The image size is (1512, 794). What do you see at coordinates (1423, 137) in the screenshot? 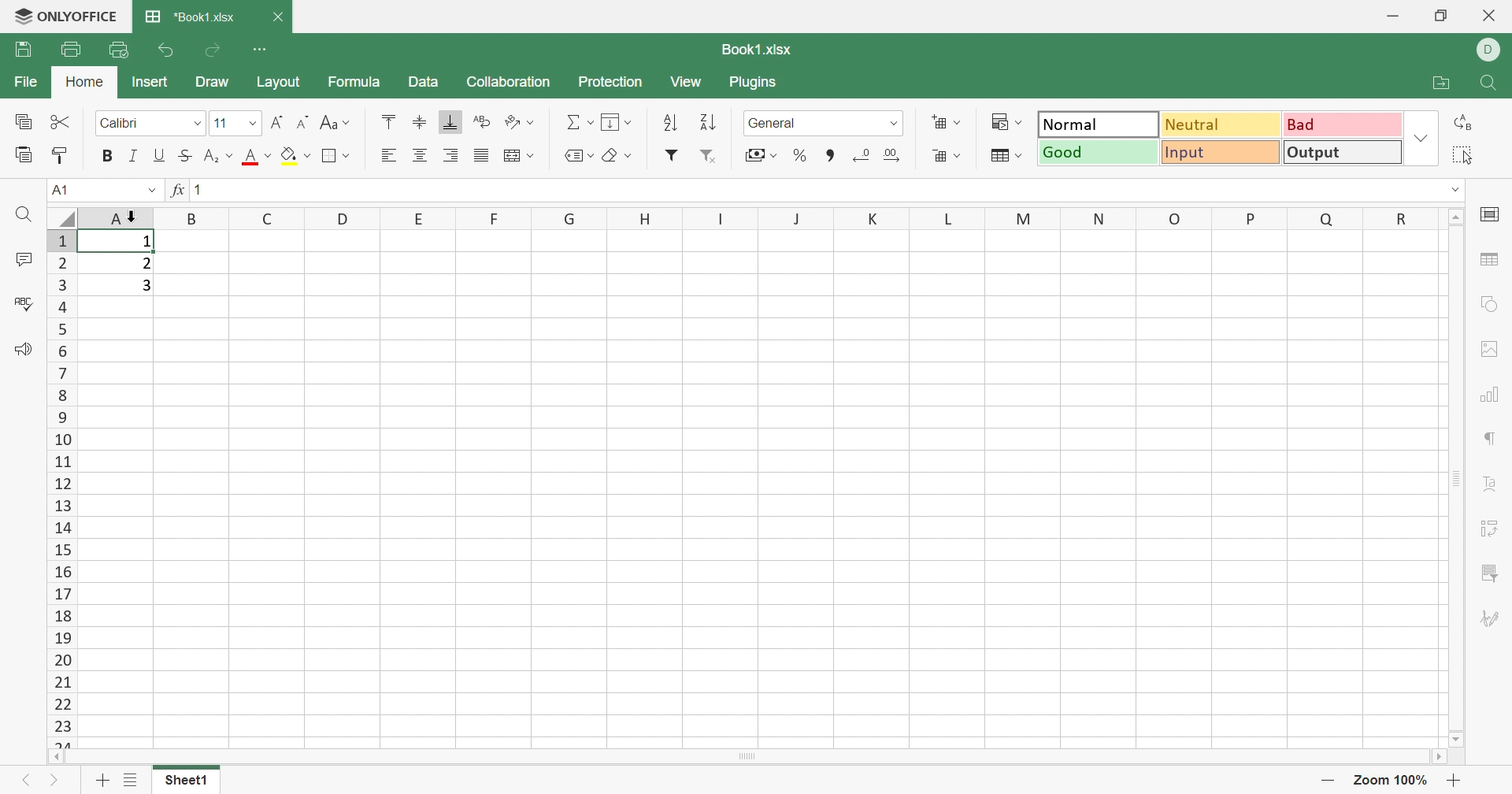
I see `Drop down` at bounding box center [1423, 137].